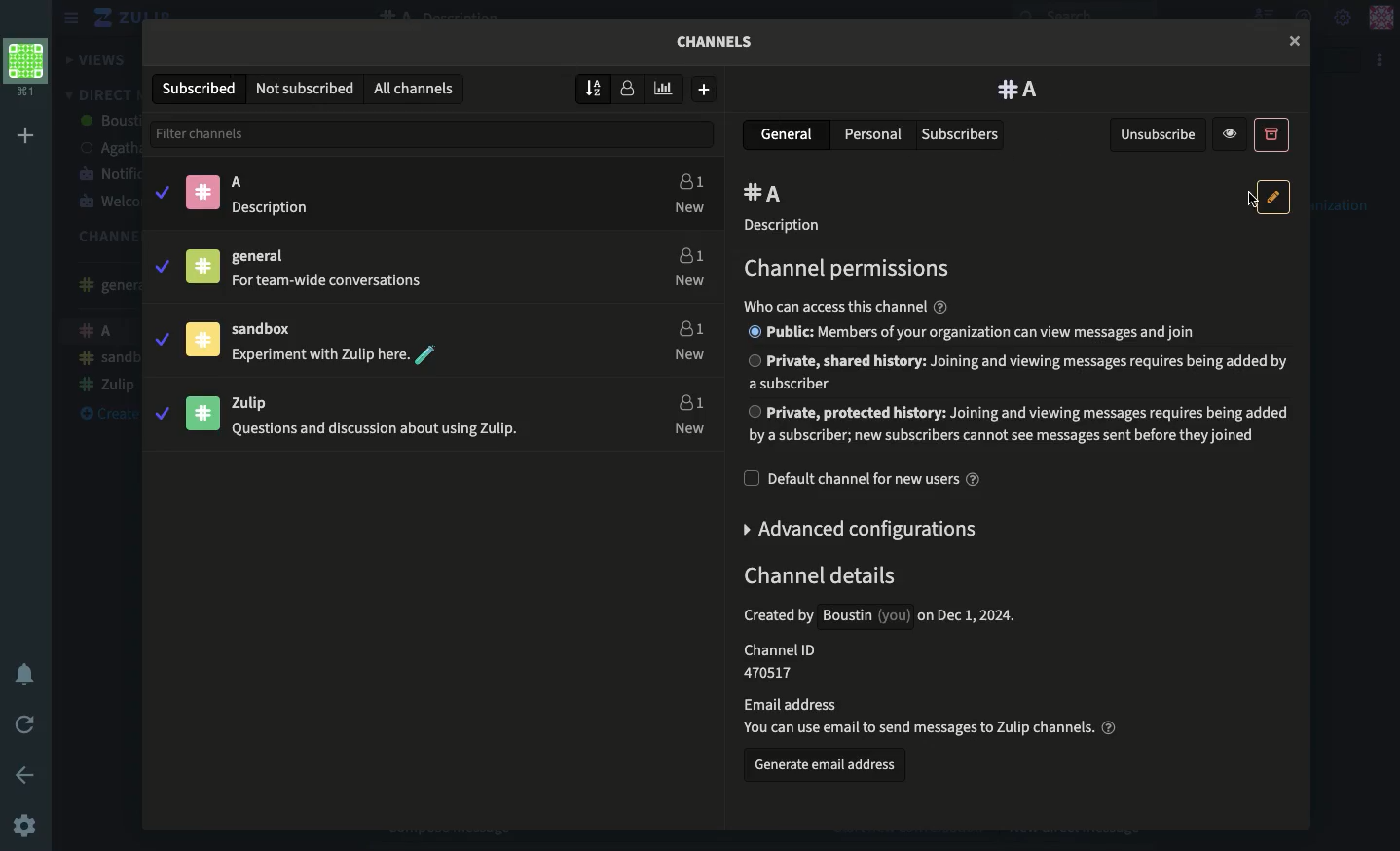 The width and height of the screenshot is (1400, 851). I want to click on Zulip, so click(105, 386).